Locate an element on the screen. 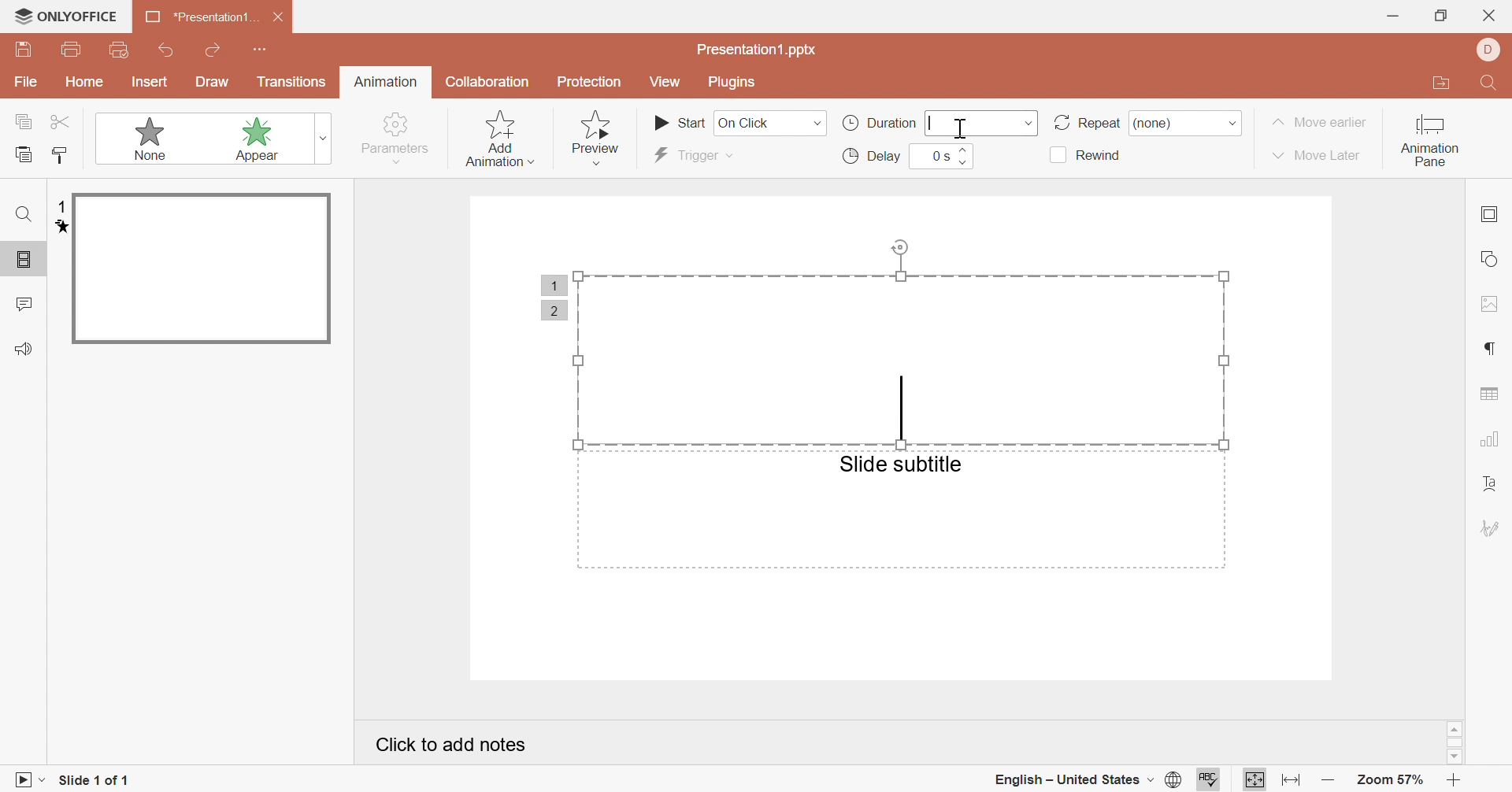 The height and width of the screenshot is (792, 1512). restore down is located at coordinates (1439, 15).